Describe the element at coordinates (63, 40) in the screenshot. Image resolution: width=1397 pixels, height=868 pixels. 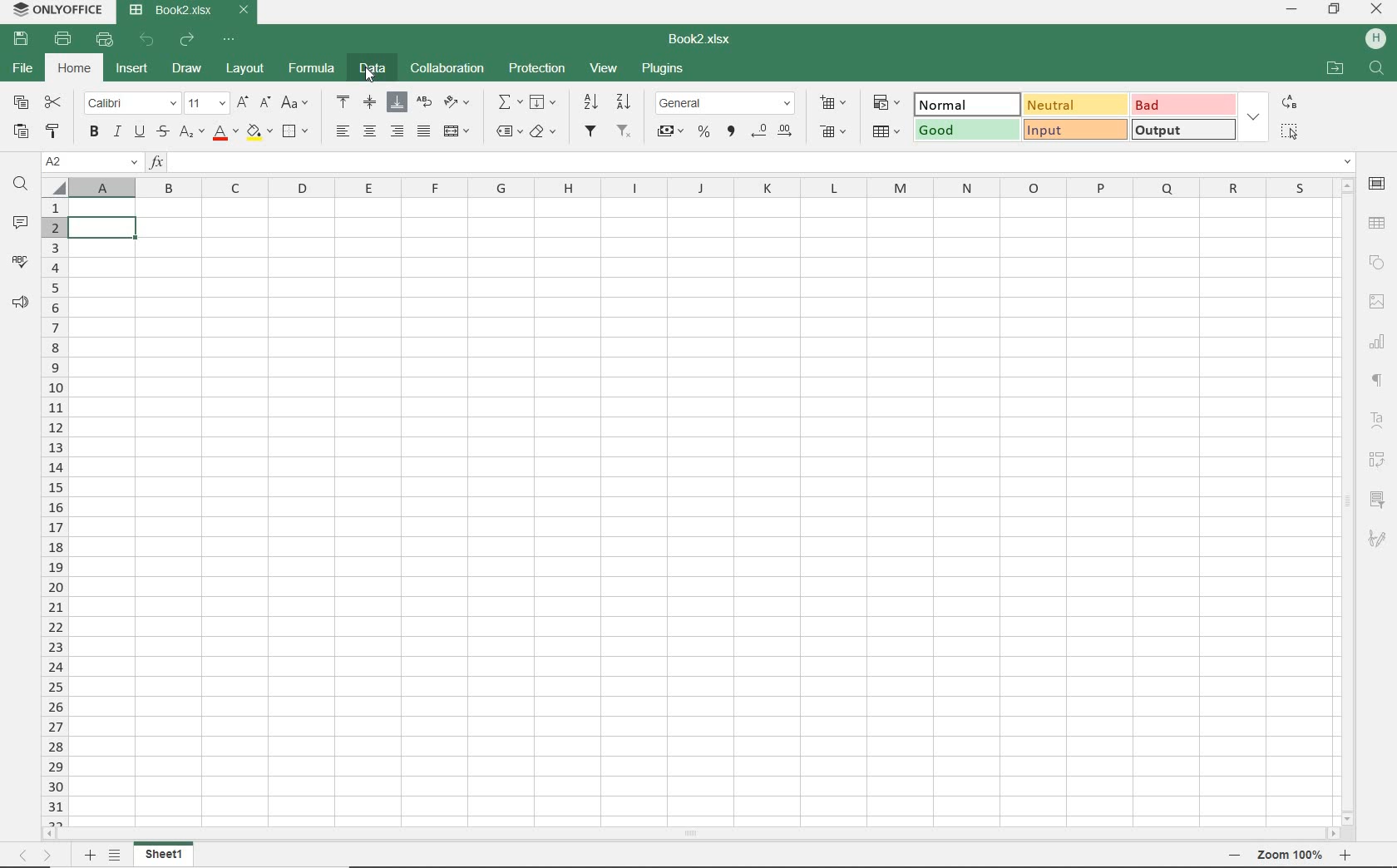
I see `PRINT` at that location.